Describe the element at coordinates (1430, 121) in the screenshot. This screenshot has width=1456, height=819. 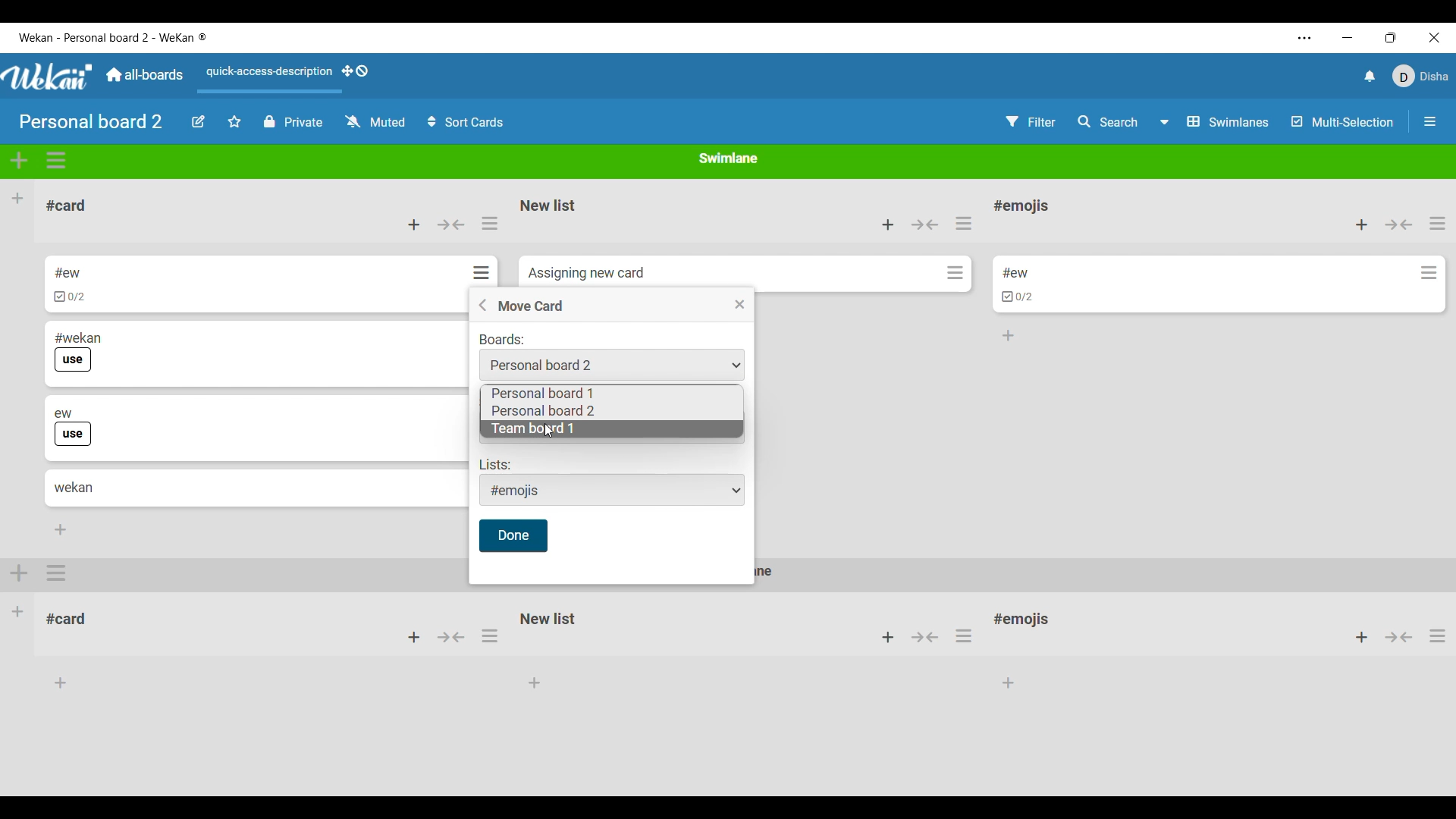
I see `Open/Close sidebar` at that location.